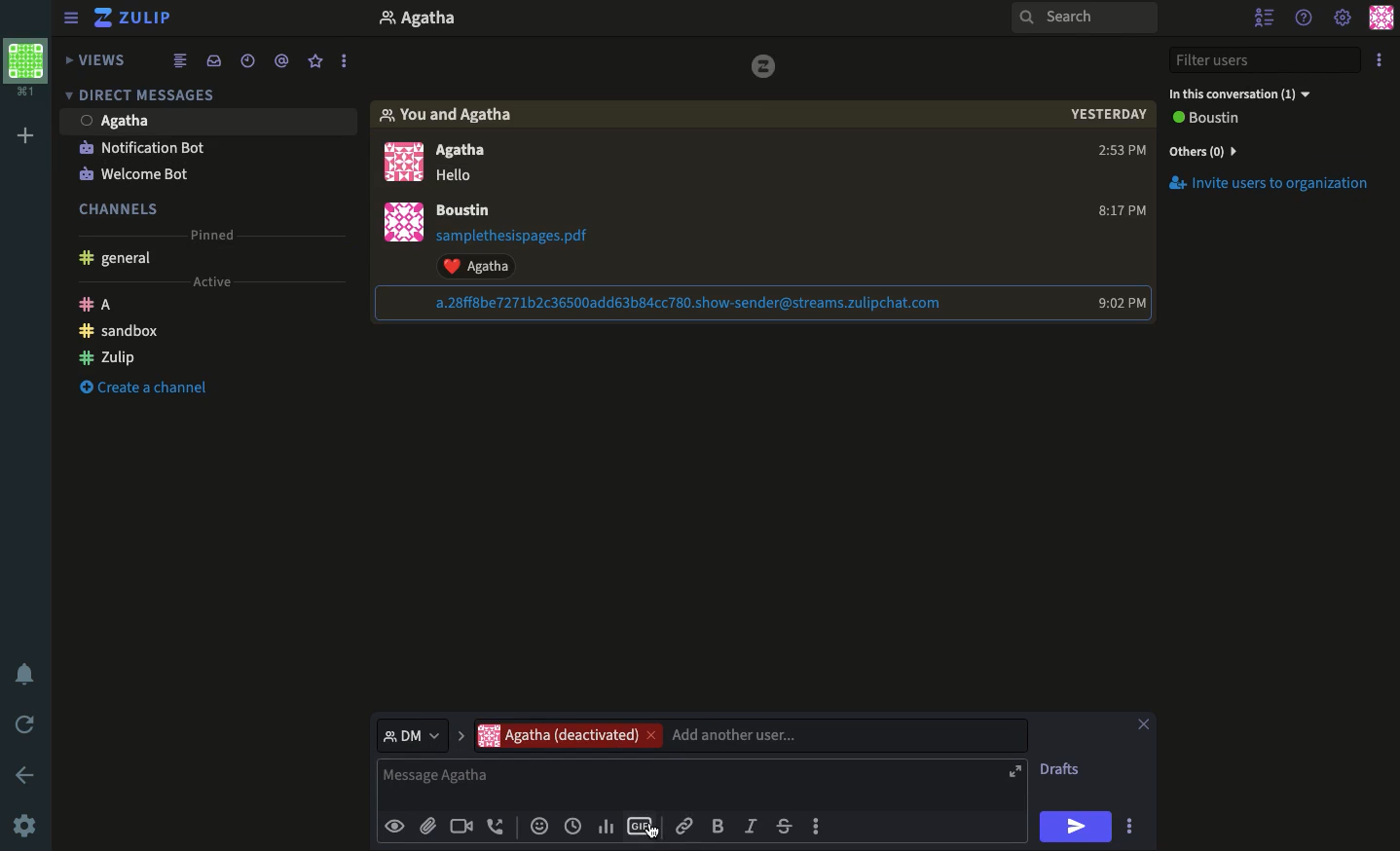 This screenshot has height=851, width=1400. What do you see at coordinates (21, 673) in the screenshot?
I see `Notification settings` at bounding box center [21, 673].